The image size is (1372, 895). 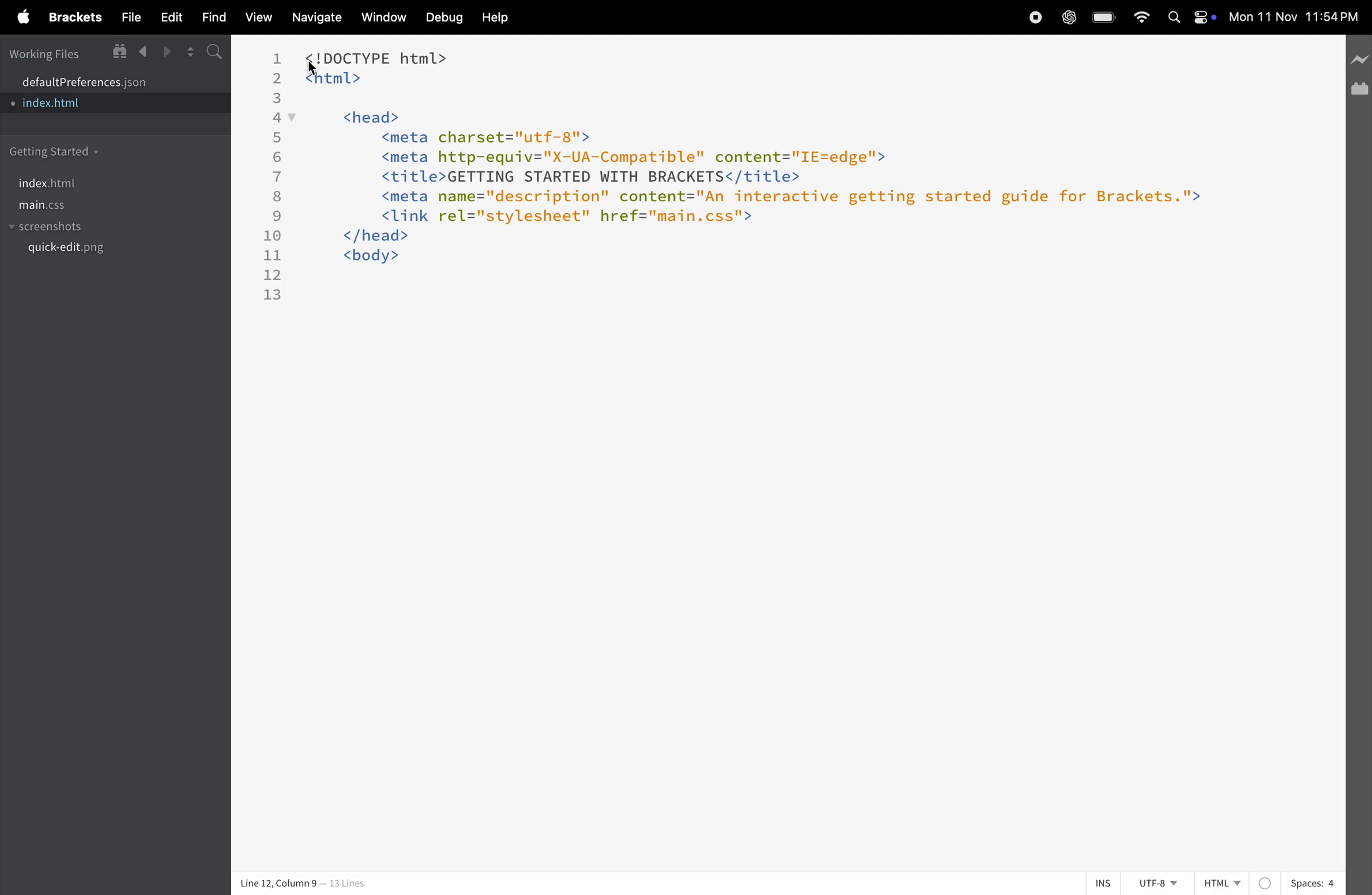 I want to click on getting started, so click(x=61, y=149).